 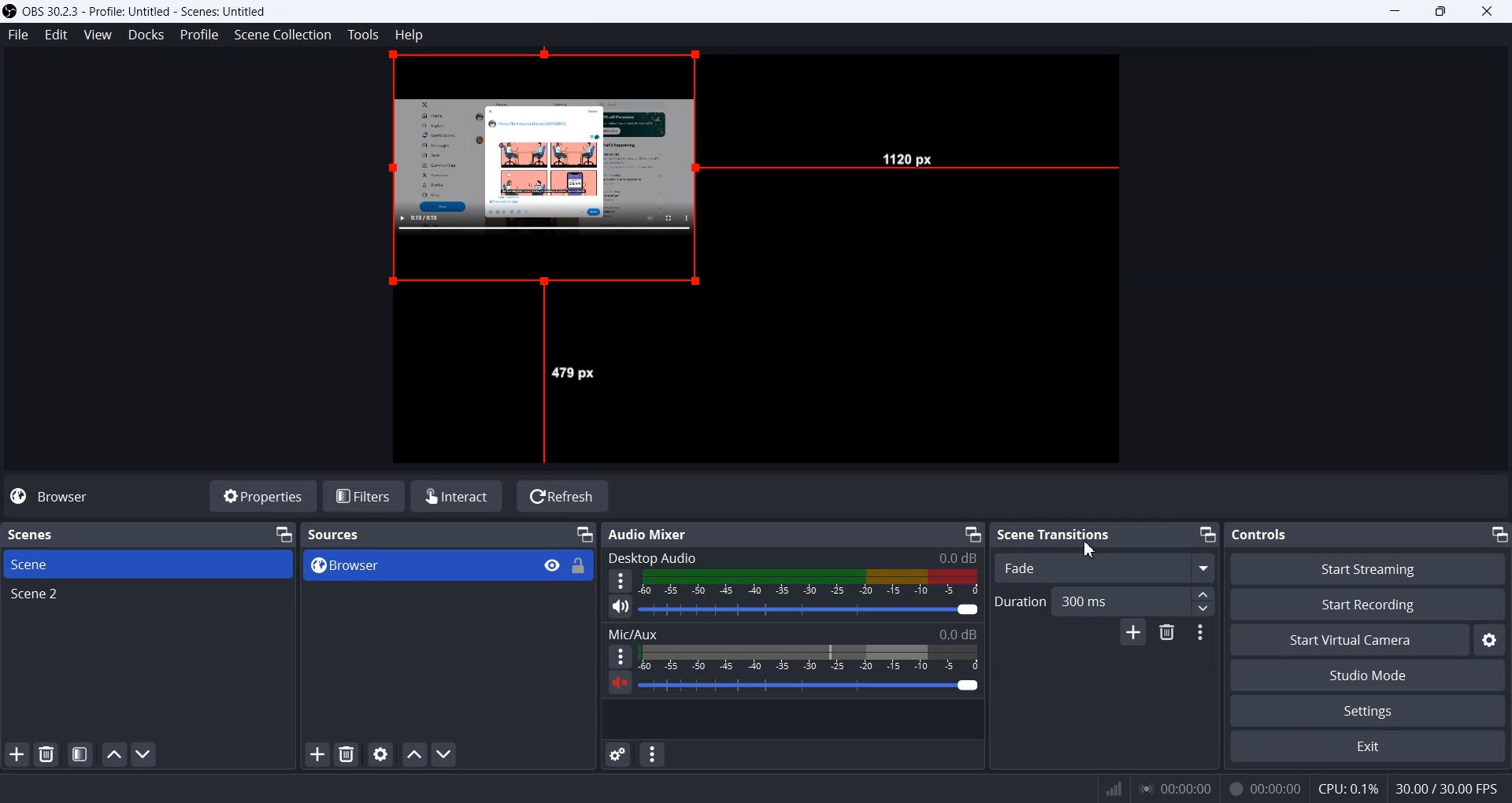 What do you see at coordinates (1443, 13) in the screenshot?
I see `Restore down ` at bounding box center [1443, 13].